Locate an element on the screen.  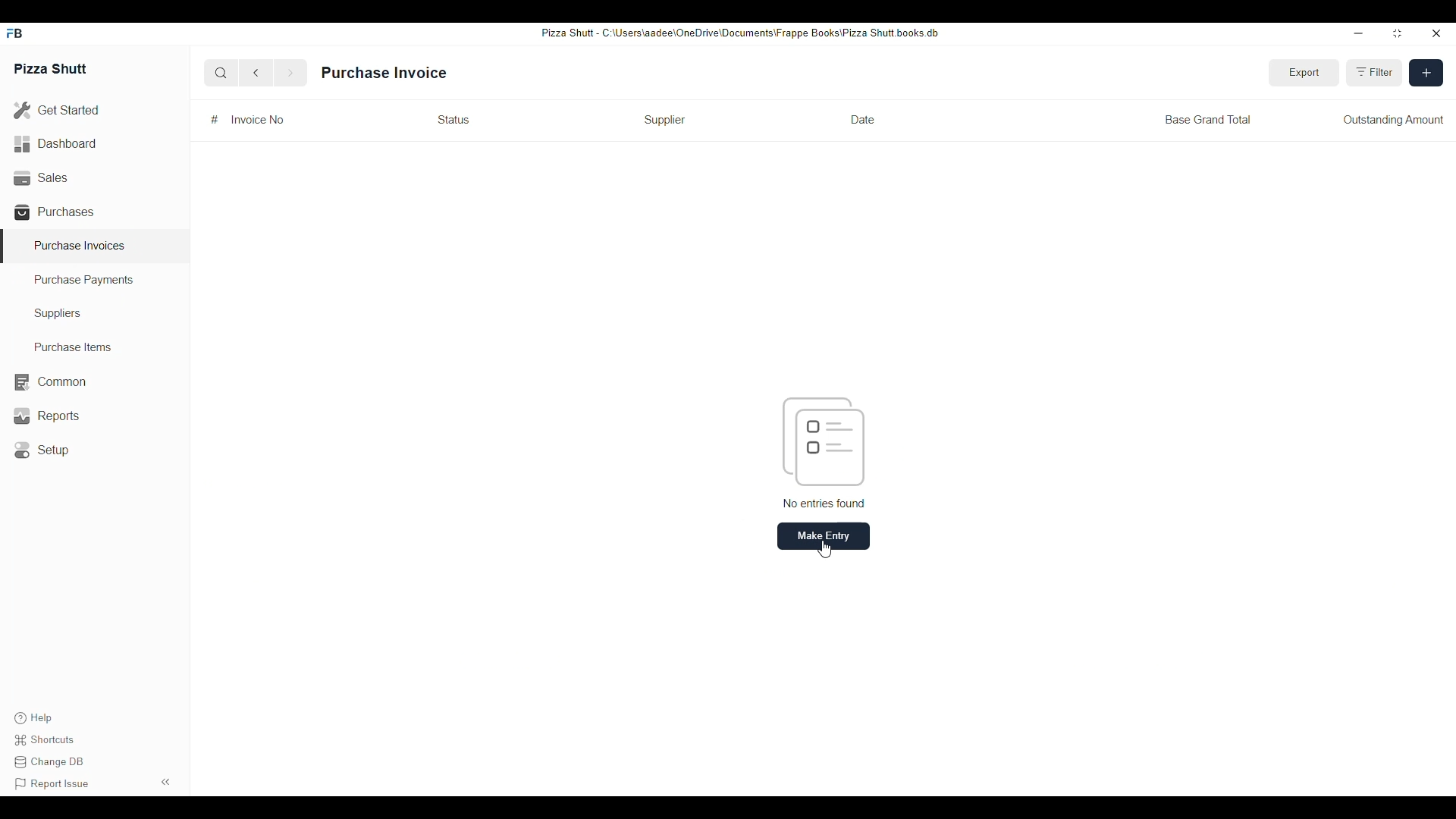
Dashboard is located at coordinates (57, 143).